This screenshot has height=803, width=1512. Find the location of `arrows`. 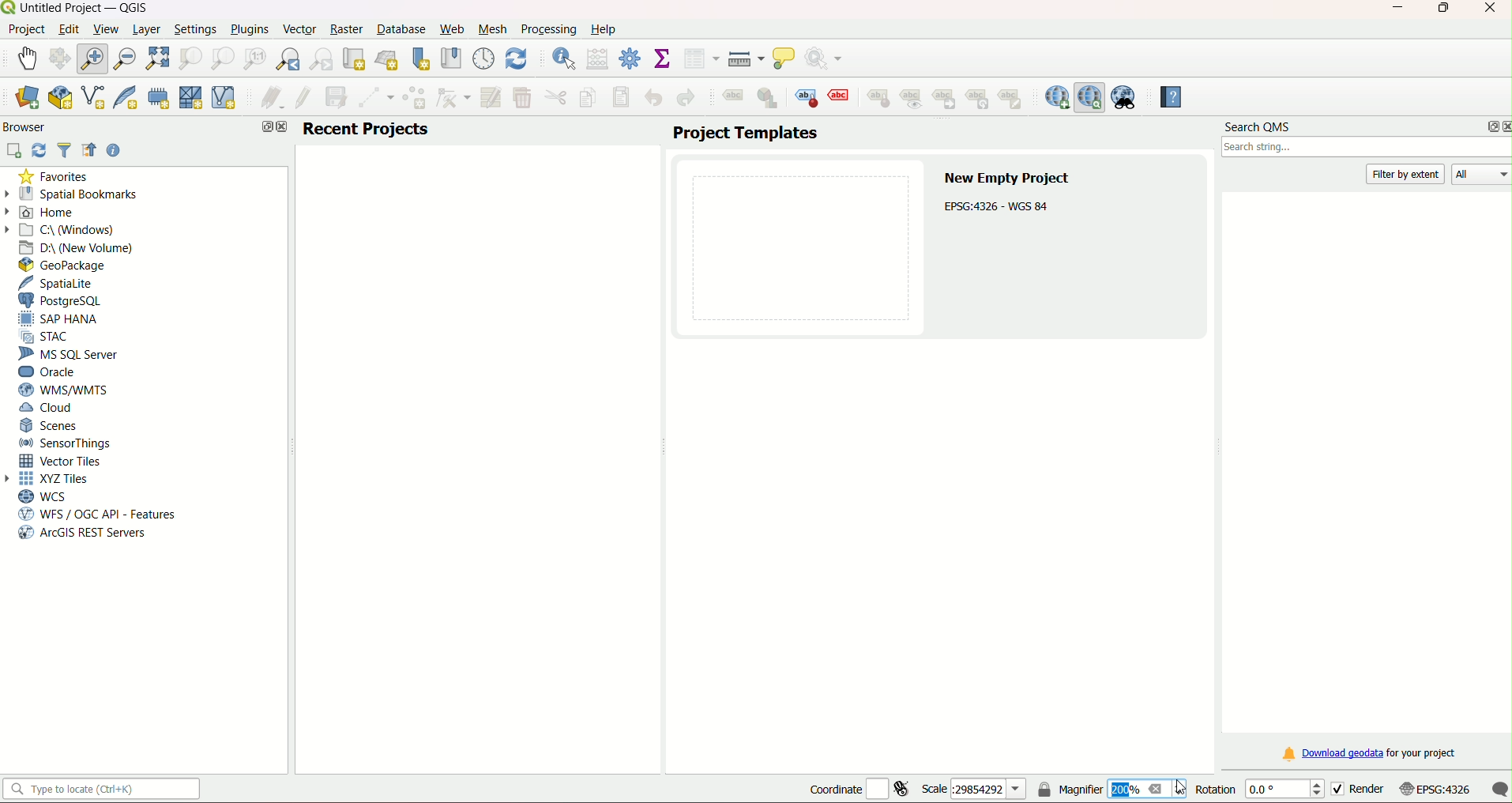

arrows is located at coordinates (10, 210).